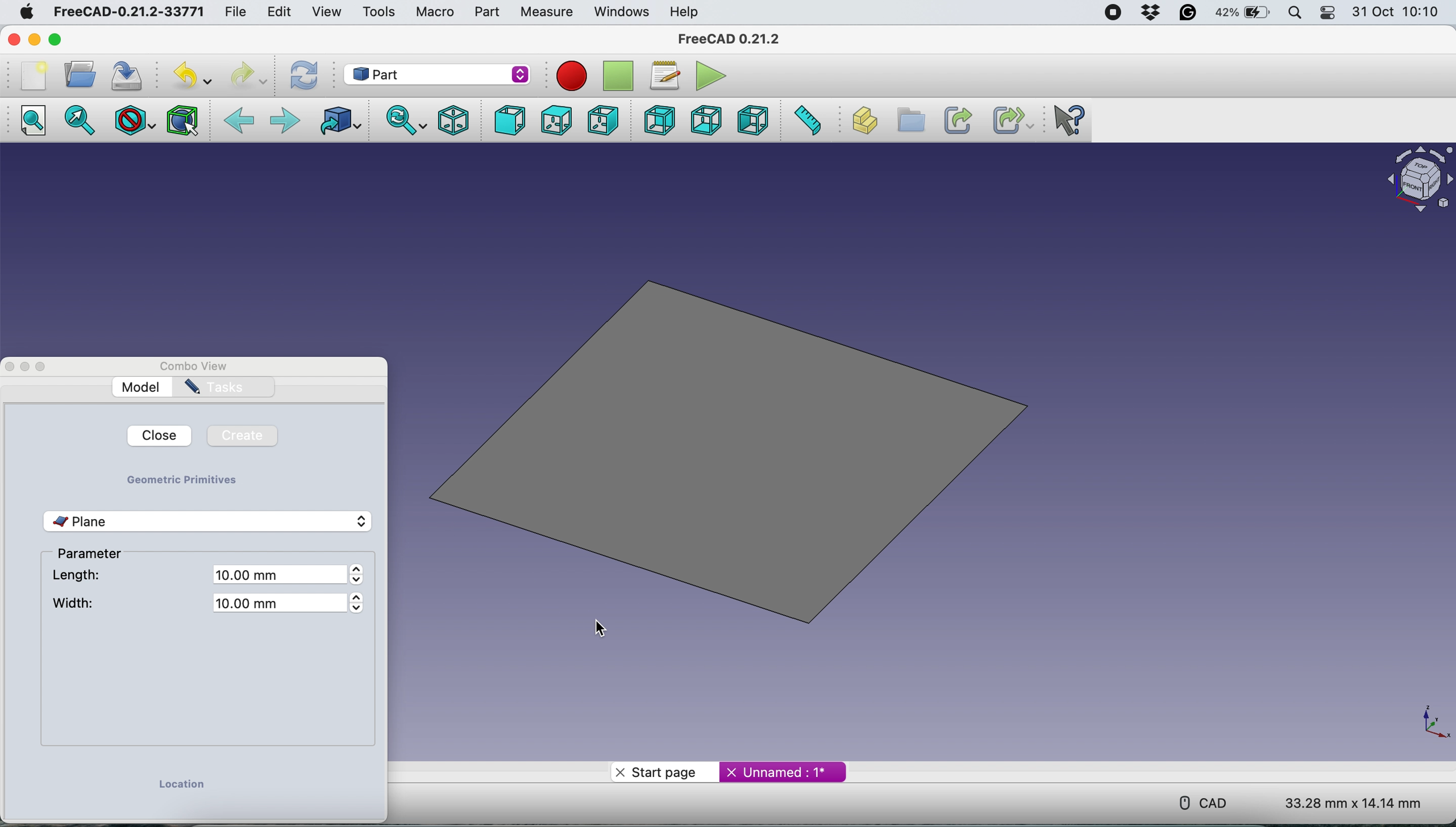  I want to click on plane, so click(208, 520).